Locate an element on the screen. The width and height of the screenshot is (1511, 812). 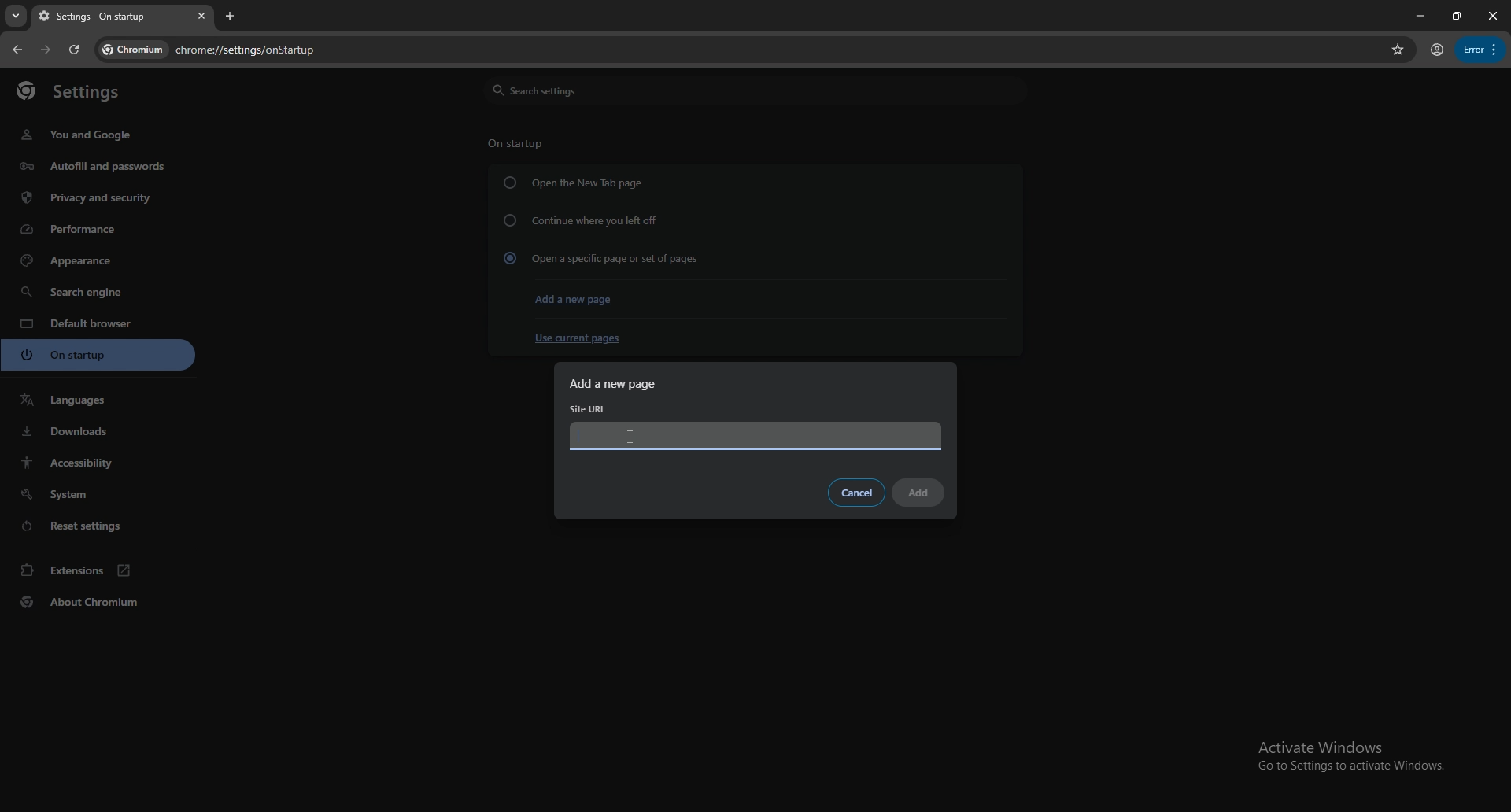
add is located at coordinates (919, 493).